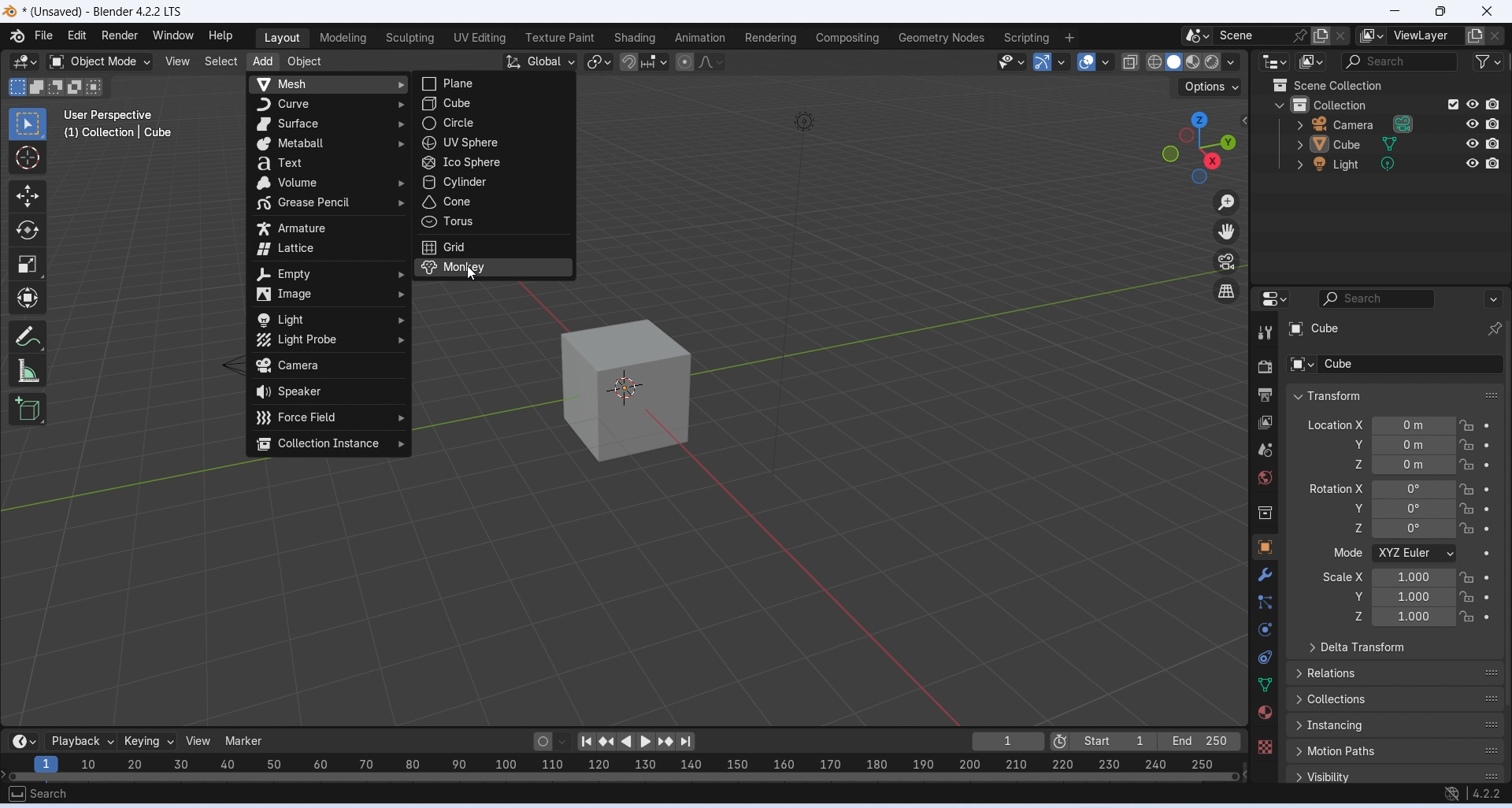 The width and height of the screenshot is (1512, 808). What do you see at coordinates (1488, 597) in the screenshot?
I see `animate property` at bounding box center [1488, 597].